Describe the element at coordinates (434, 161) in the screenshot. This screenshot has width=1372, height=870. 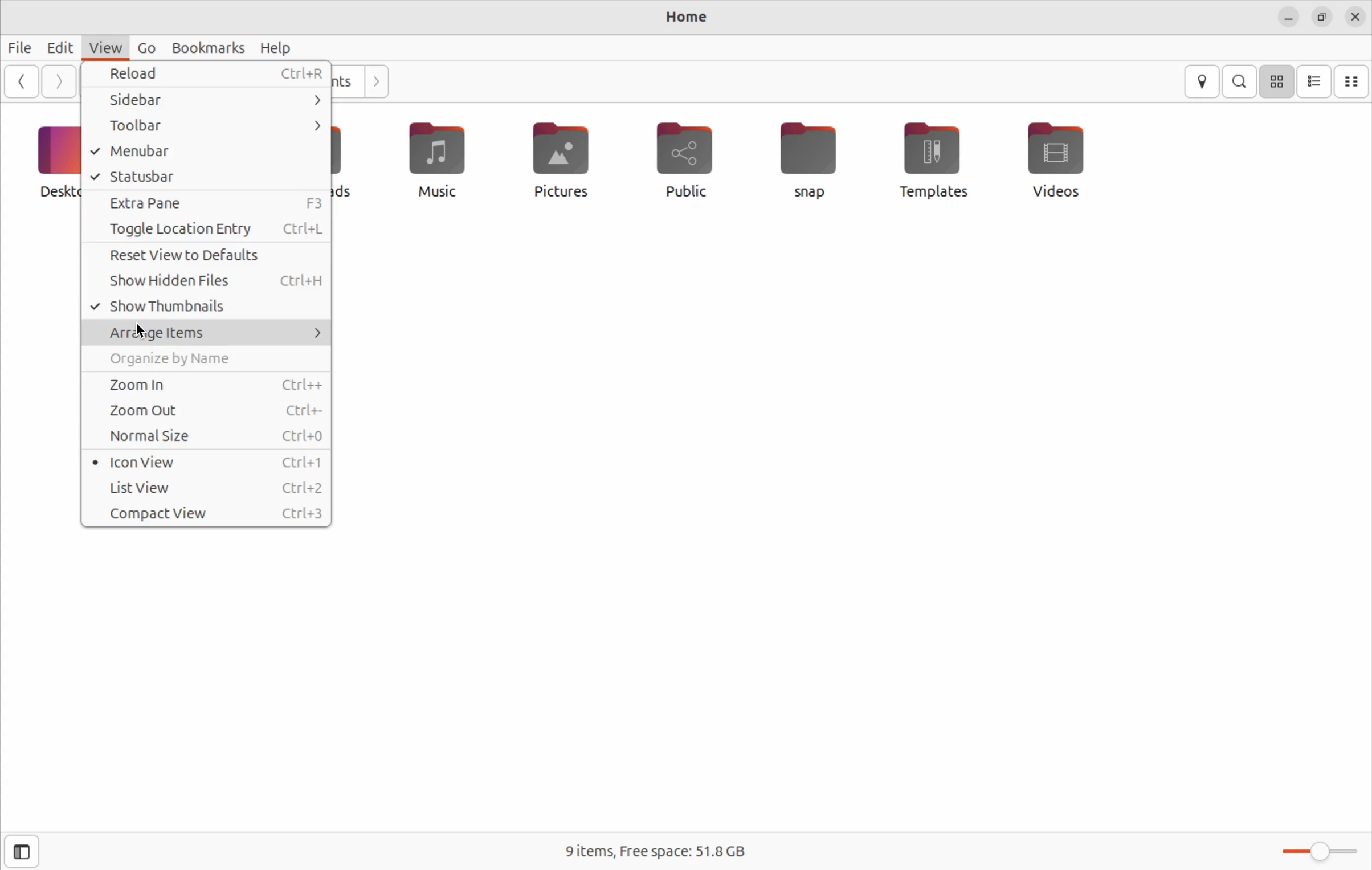
I see `music` at that location.